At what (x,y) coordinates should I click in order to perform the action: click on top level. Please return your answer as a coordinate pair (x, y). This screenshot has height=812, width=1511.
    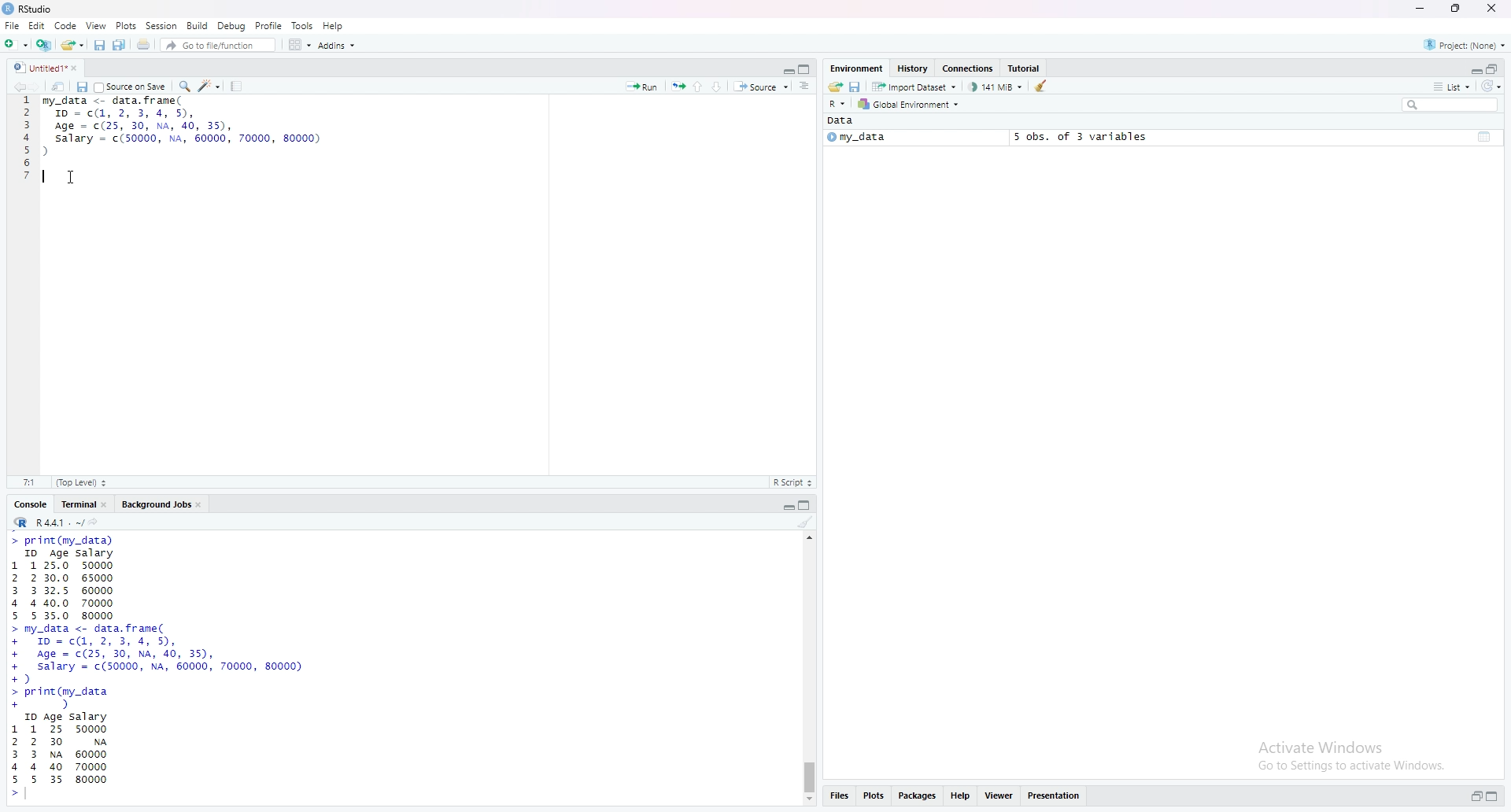
    Looking at the image, I should click on (86, 481).